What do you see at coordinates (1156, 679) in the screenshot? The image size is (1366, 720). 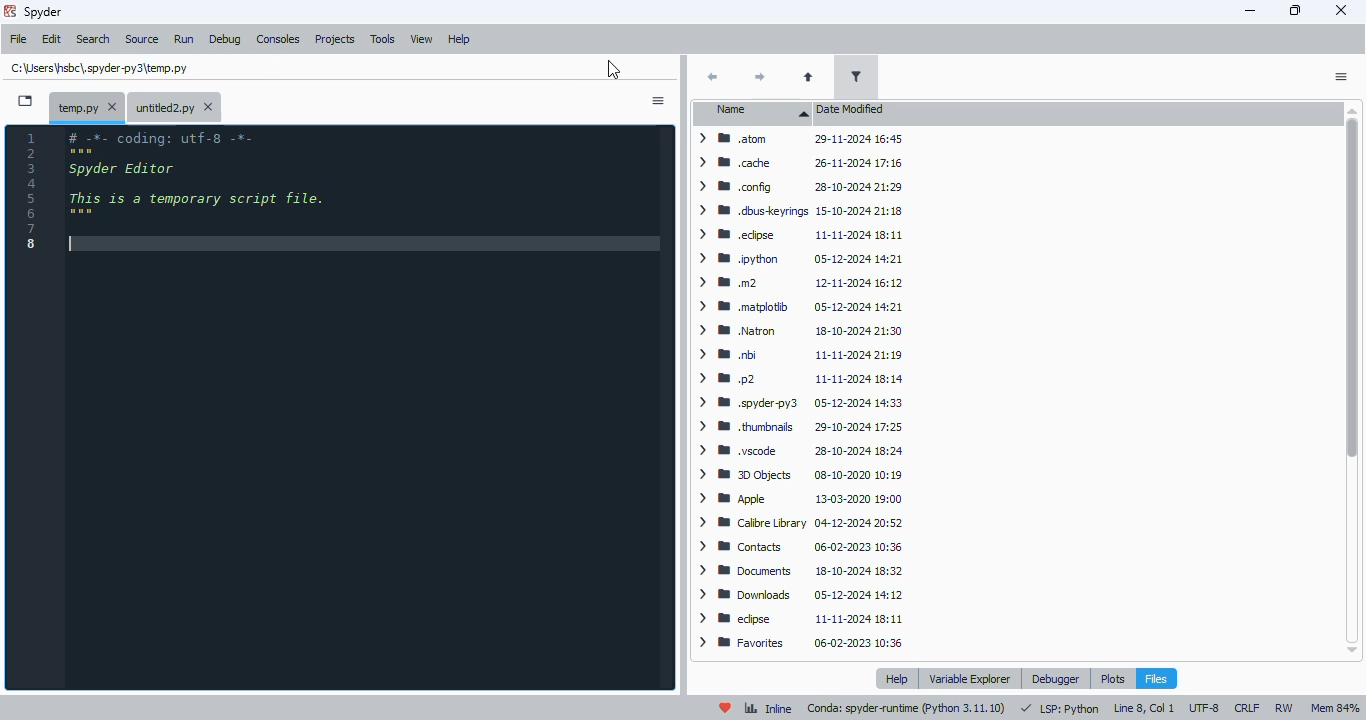 I see `files` at bounding box center [1156, 679].